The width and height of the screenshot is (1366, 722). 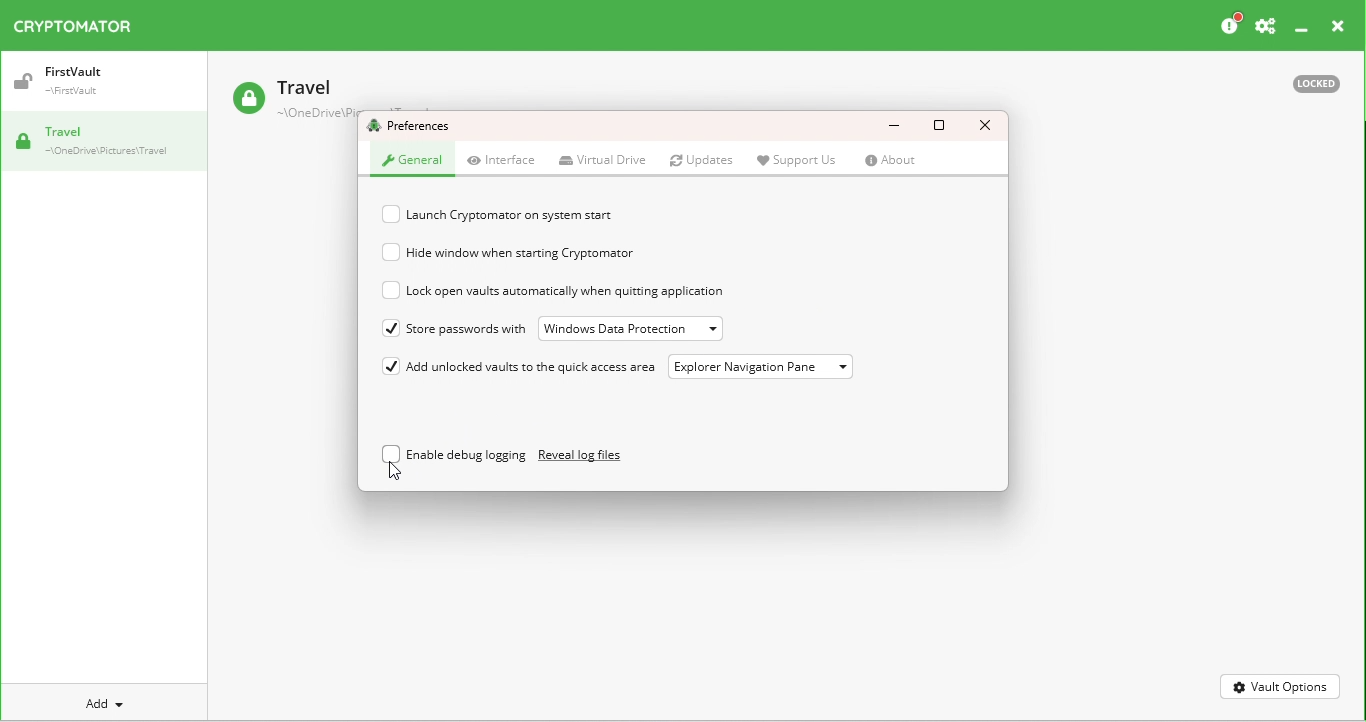 I want to click on Close, so click(x=986, y=124).